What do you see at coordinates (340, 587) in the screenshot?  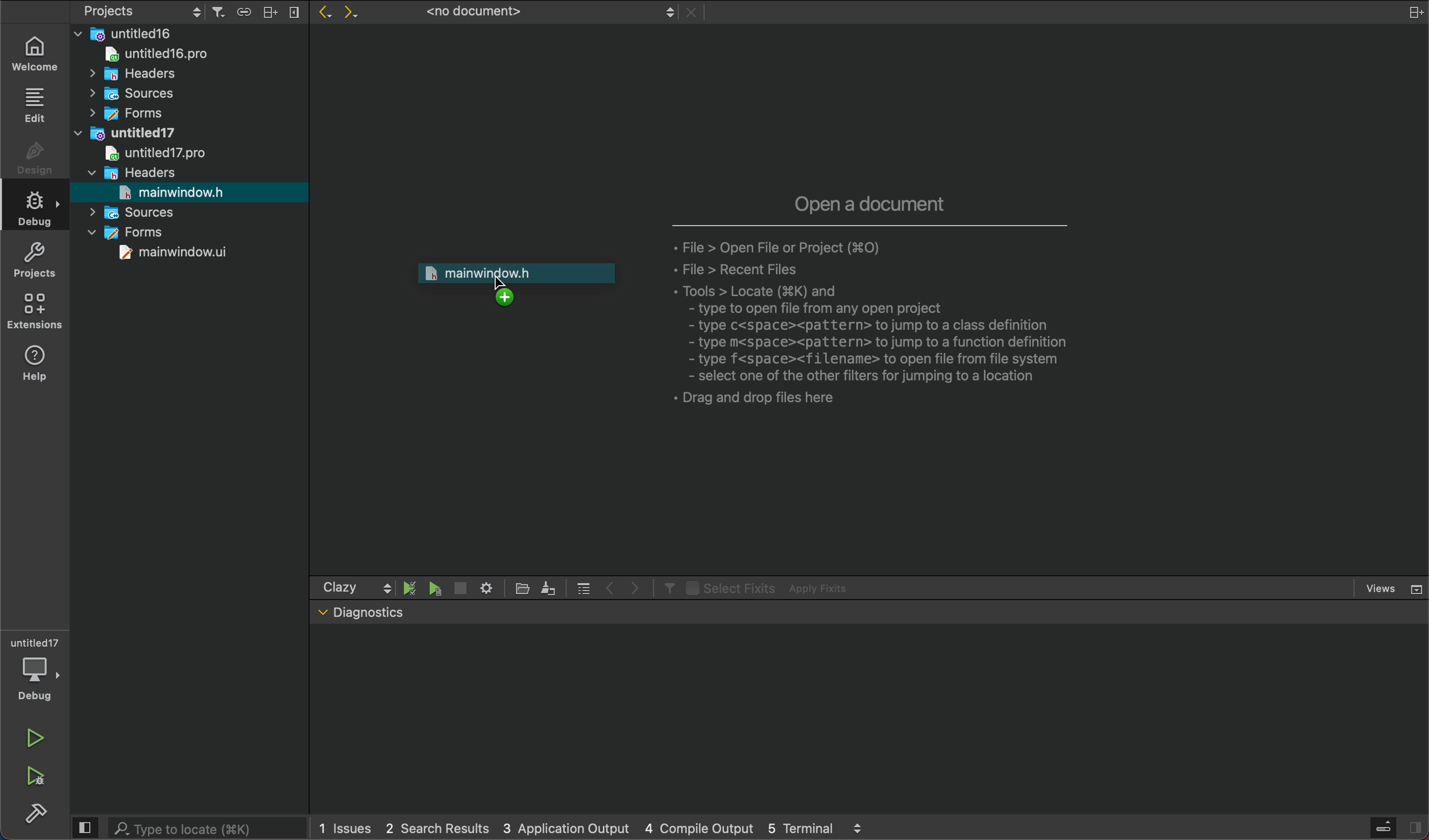 I see `Clazy` at bounding box center [340, 587].